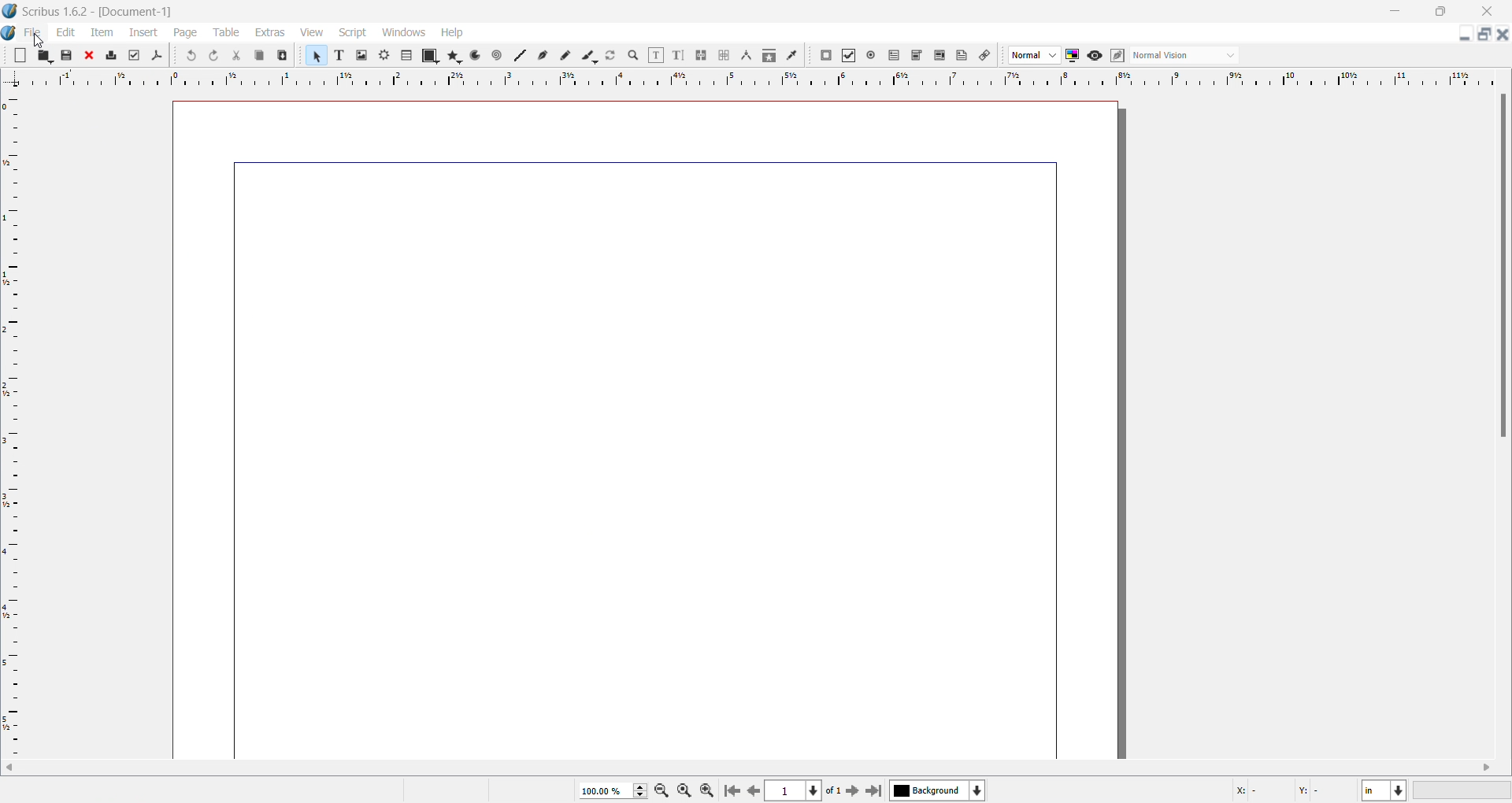  I want to click on top scale, so click(755, 78).